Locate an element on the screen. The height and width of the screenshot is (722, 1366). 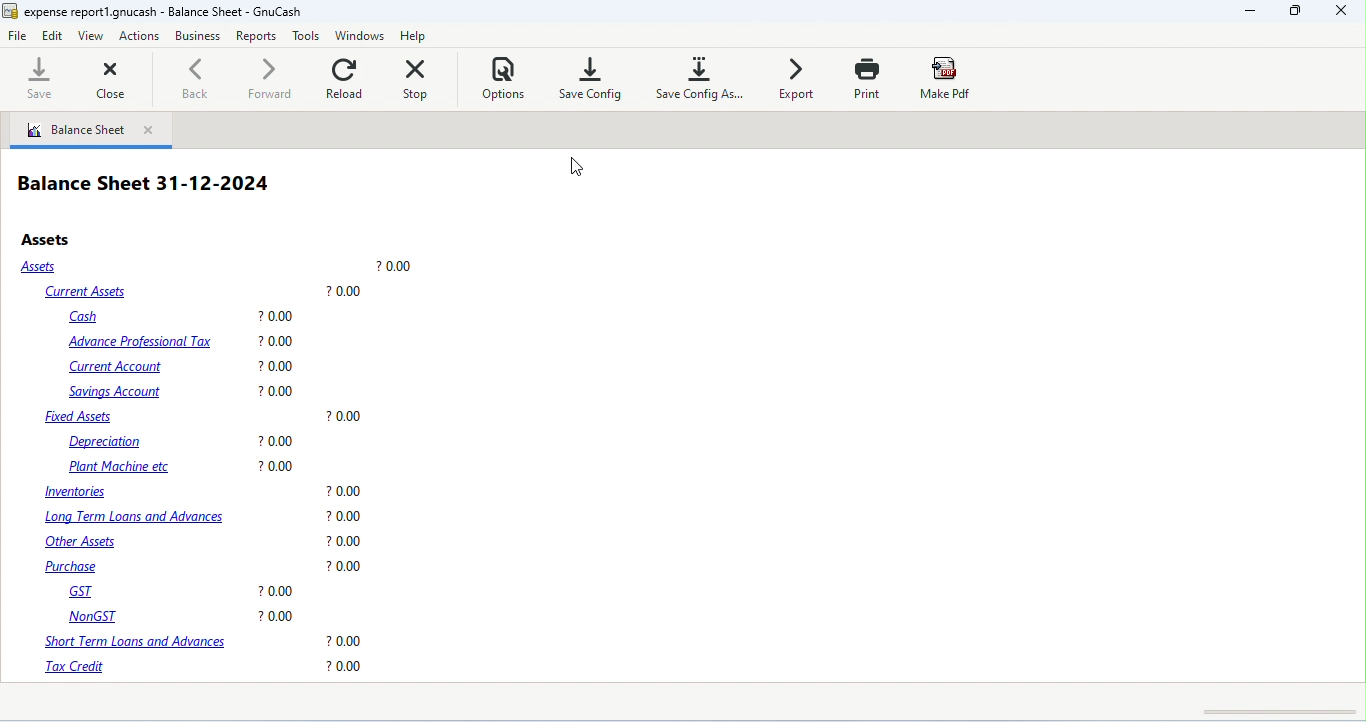
maximize is located at coordinates (1292, 11).